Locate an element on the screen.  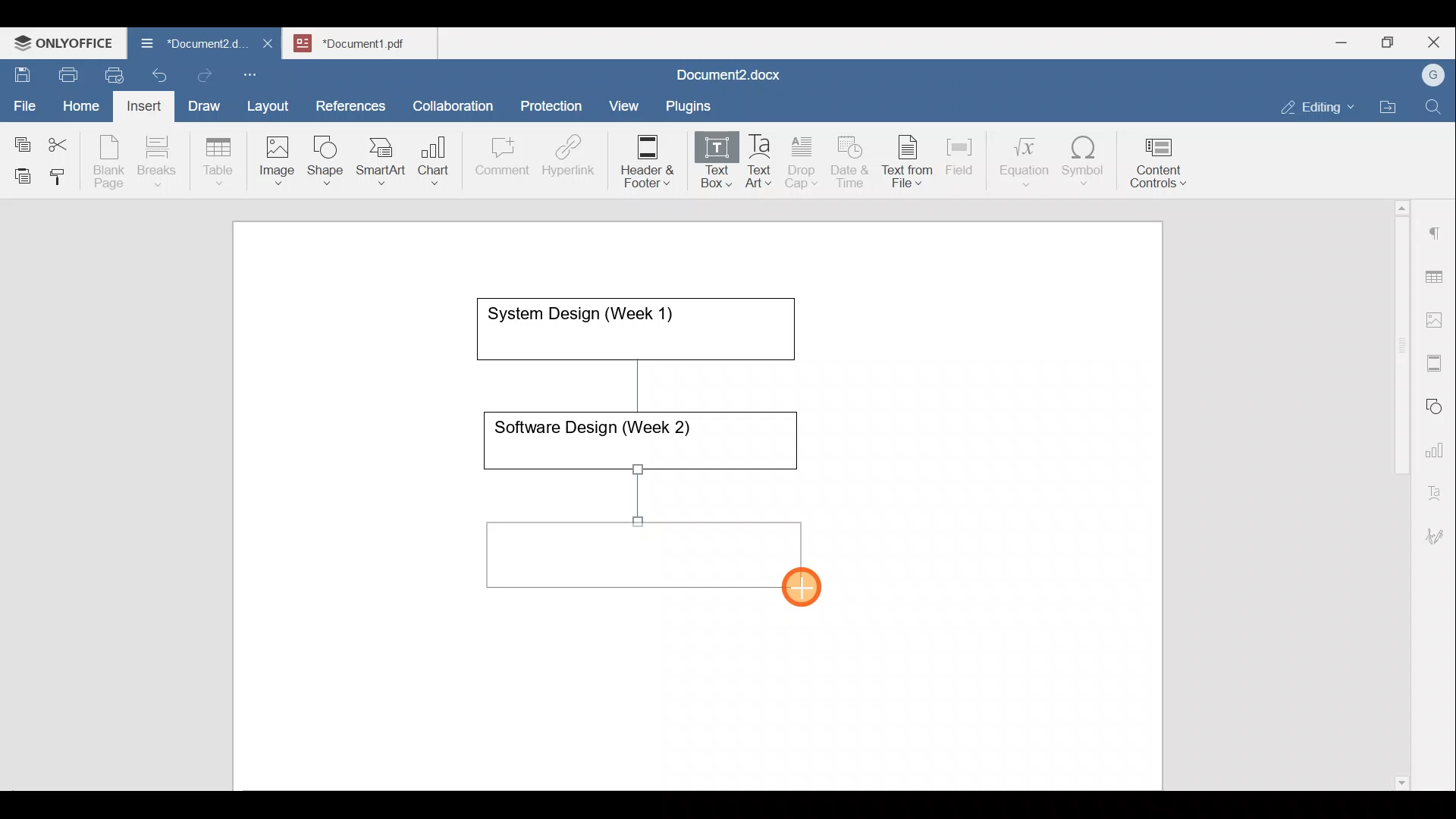
Close is located at coordinates (1436, 43).